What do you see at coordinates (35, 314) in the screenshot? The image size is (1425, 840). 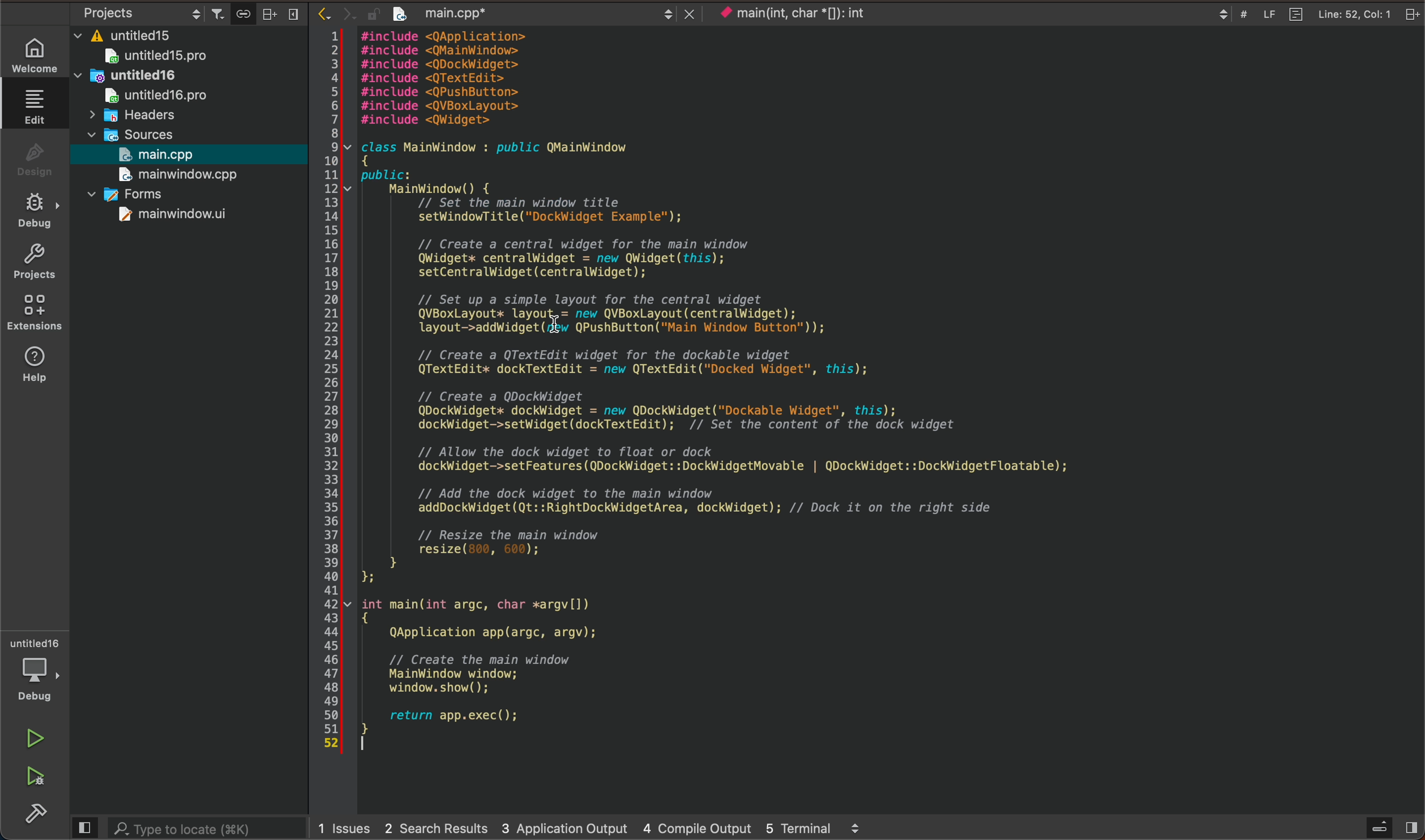 I see `extensions` at bounding box center [35, 314].